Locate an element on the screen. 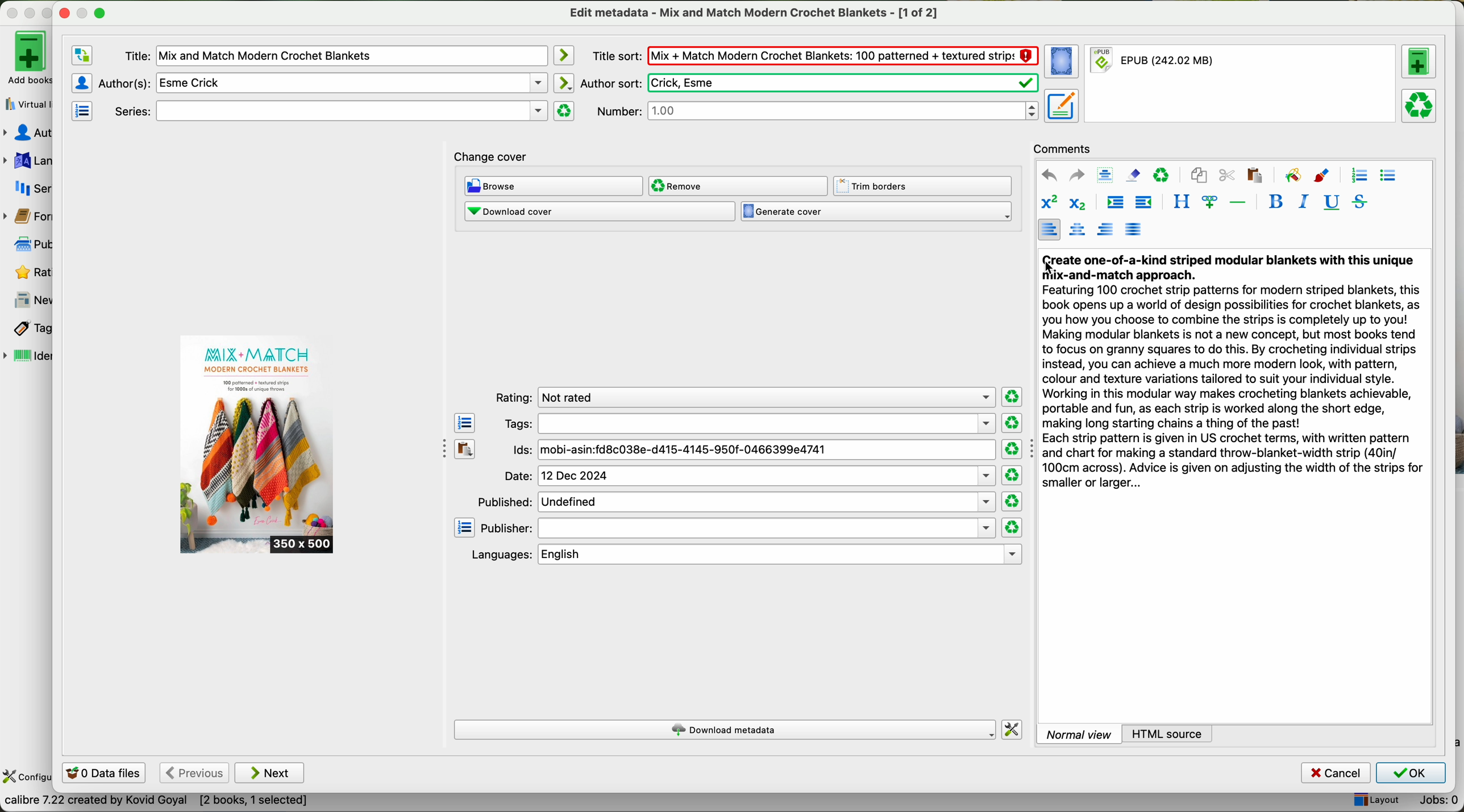 This screenshot has height=812, width=1464. maximize windows is located at coordinates (99, 12).